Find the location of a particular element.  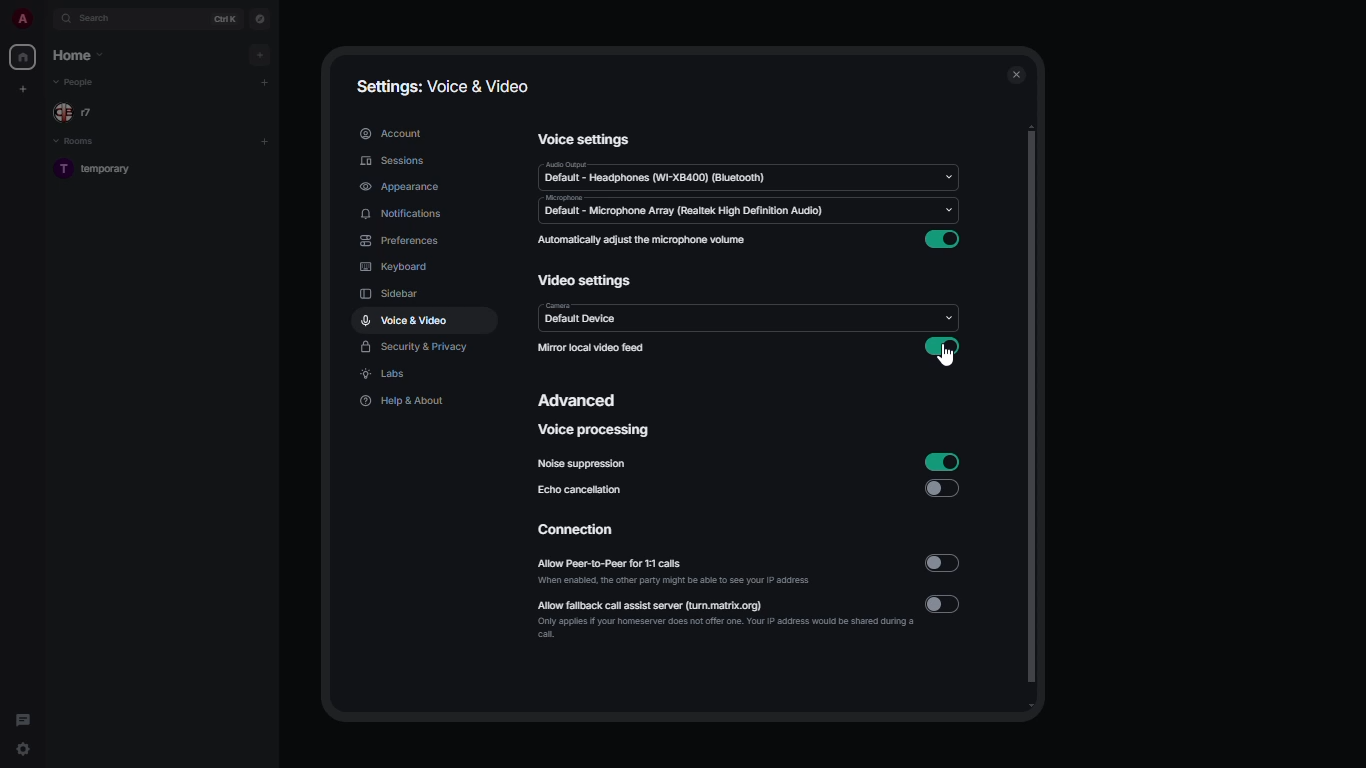

voice & video is located at coordinates (405, 320).